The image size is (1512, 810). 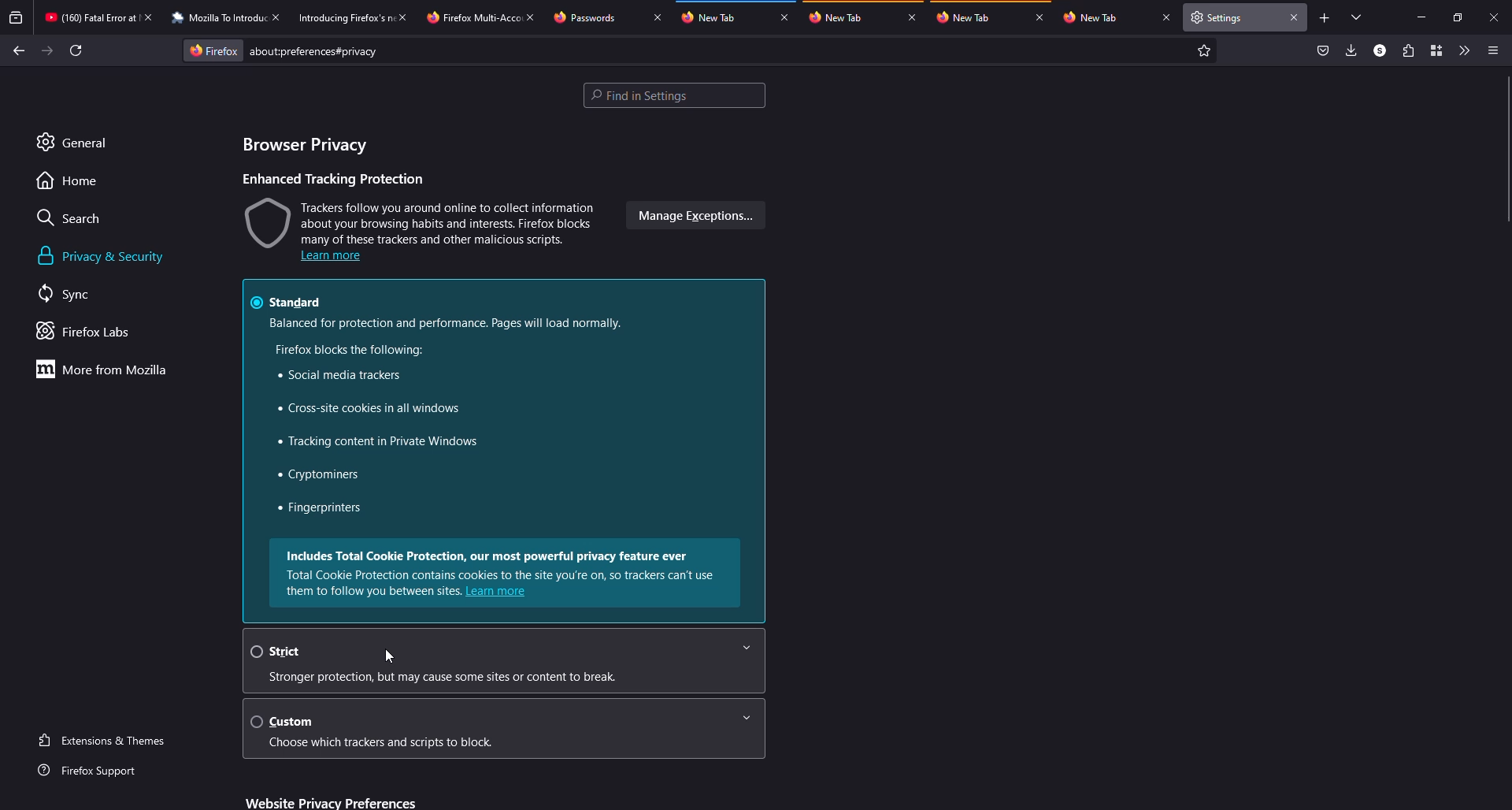 What do you see at coordinates (1040, 18) in the screenshot?
I see `close` at bounding box center [1040, 18].